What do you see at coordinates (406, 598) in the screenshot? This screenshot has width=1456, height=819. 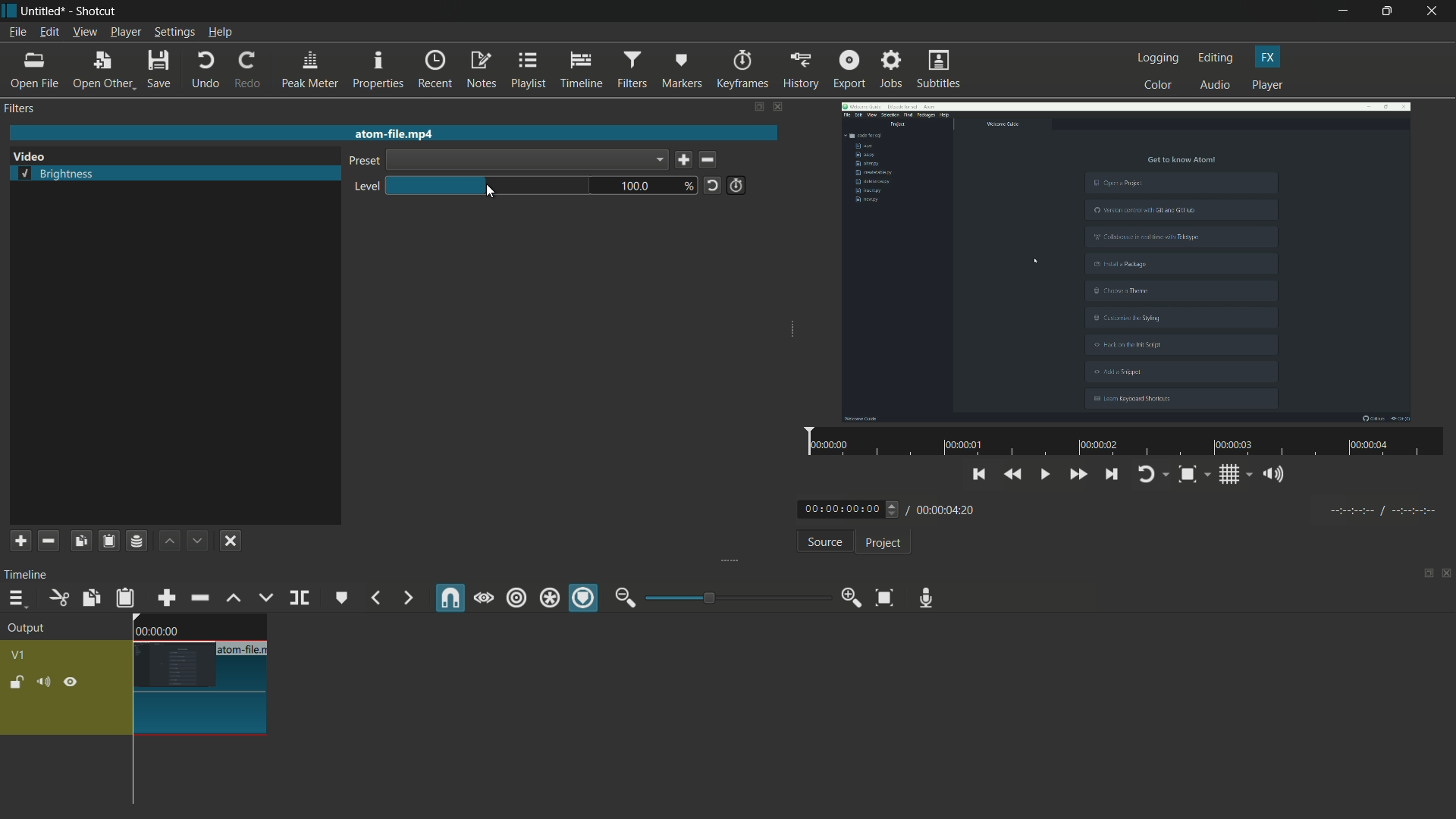 I see `next marker` at bounding box center [406, 598].